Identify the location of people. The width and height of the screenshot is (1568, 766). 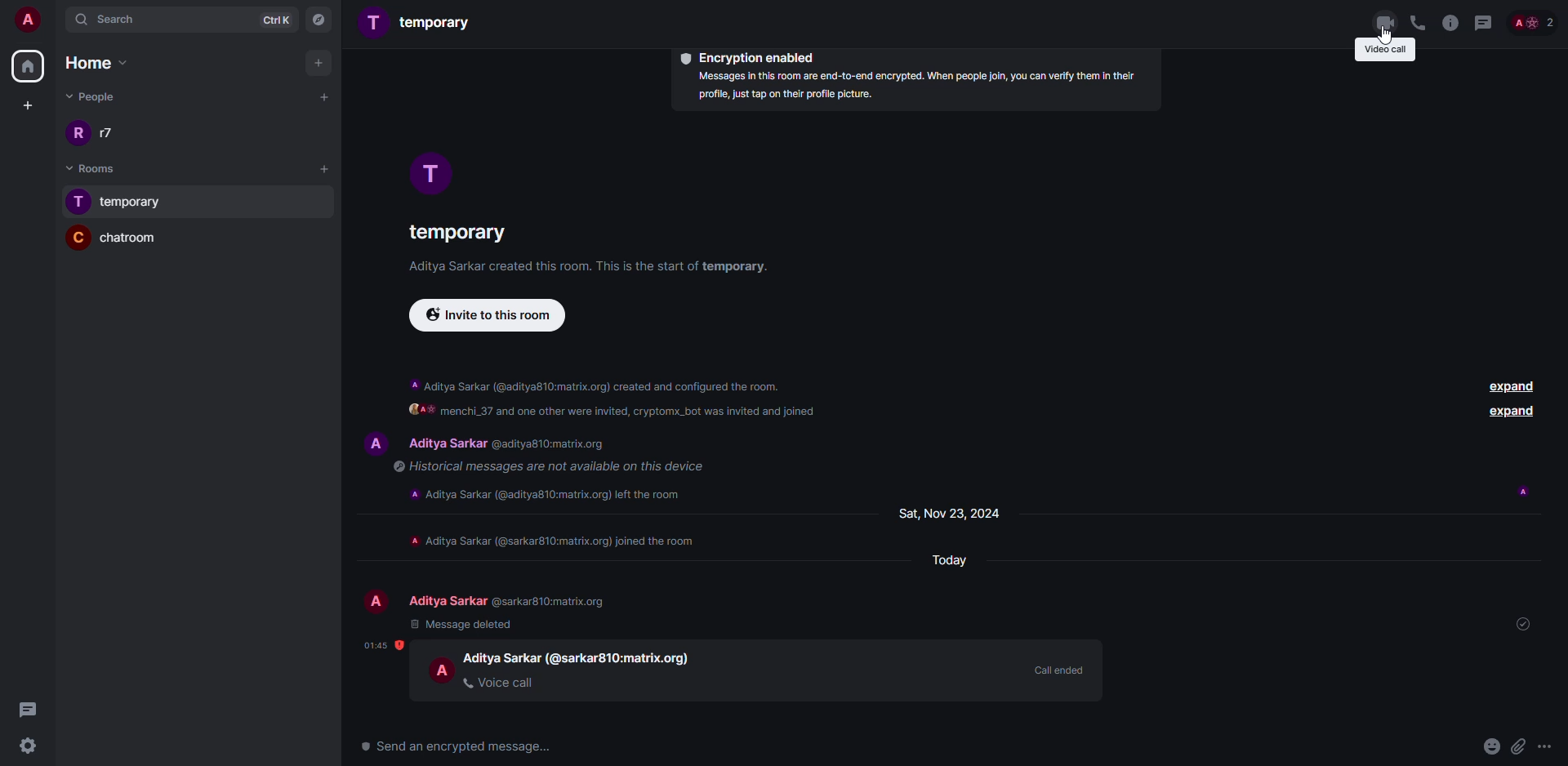
(445, 601).